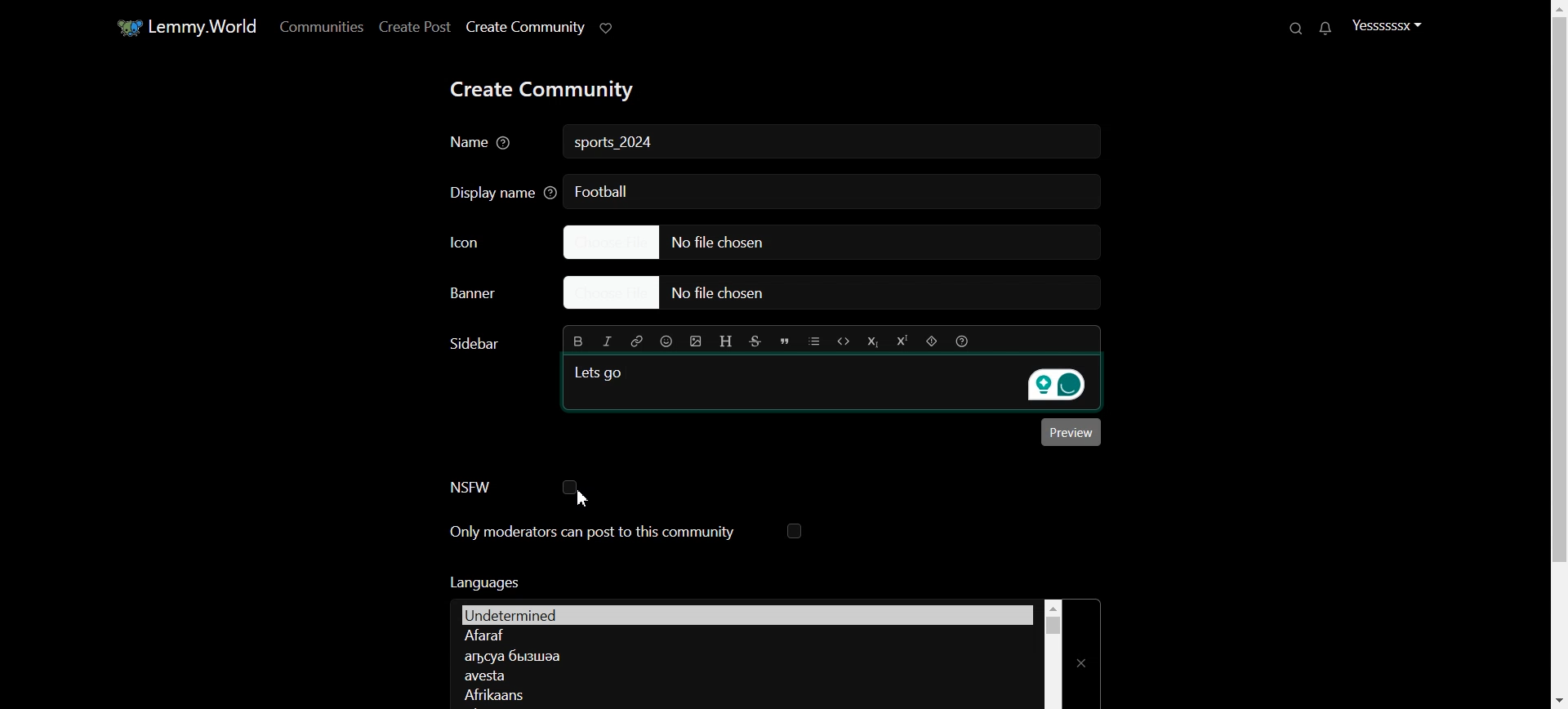 The image size is (1568, 709). Describe the element at coordinates (901, 341) in the screenshot. I see `Superscript` at that location.